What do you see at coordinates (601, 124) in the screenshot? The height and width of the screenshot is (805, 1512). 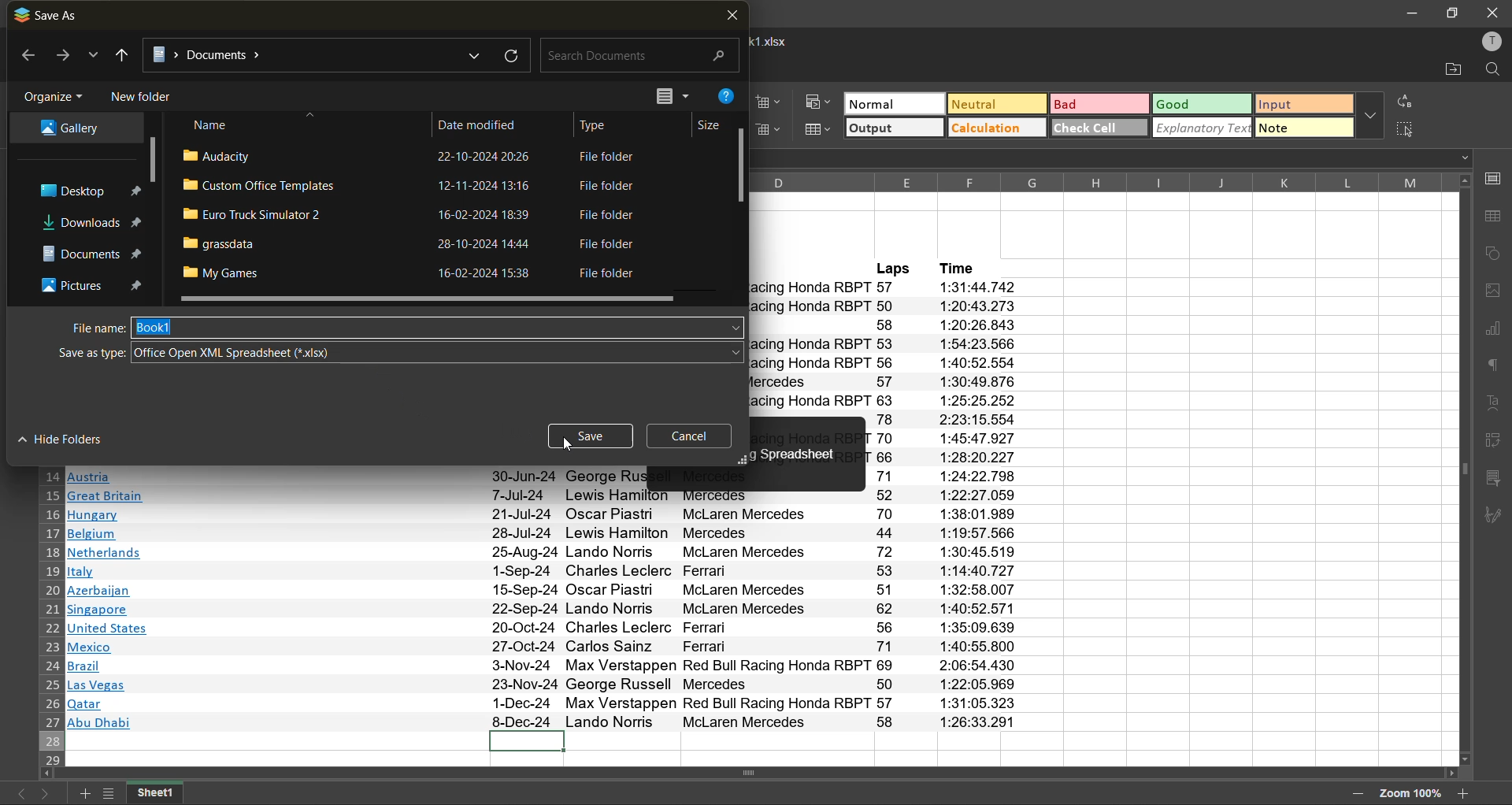 I see `type` at bounding box center [601, 124].